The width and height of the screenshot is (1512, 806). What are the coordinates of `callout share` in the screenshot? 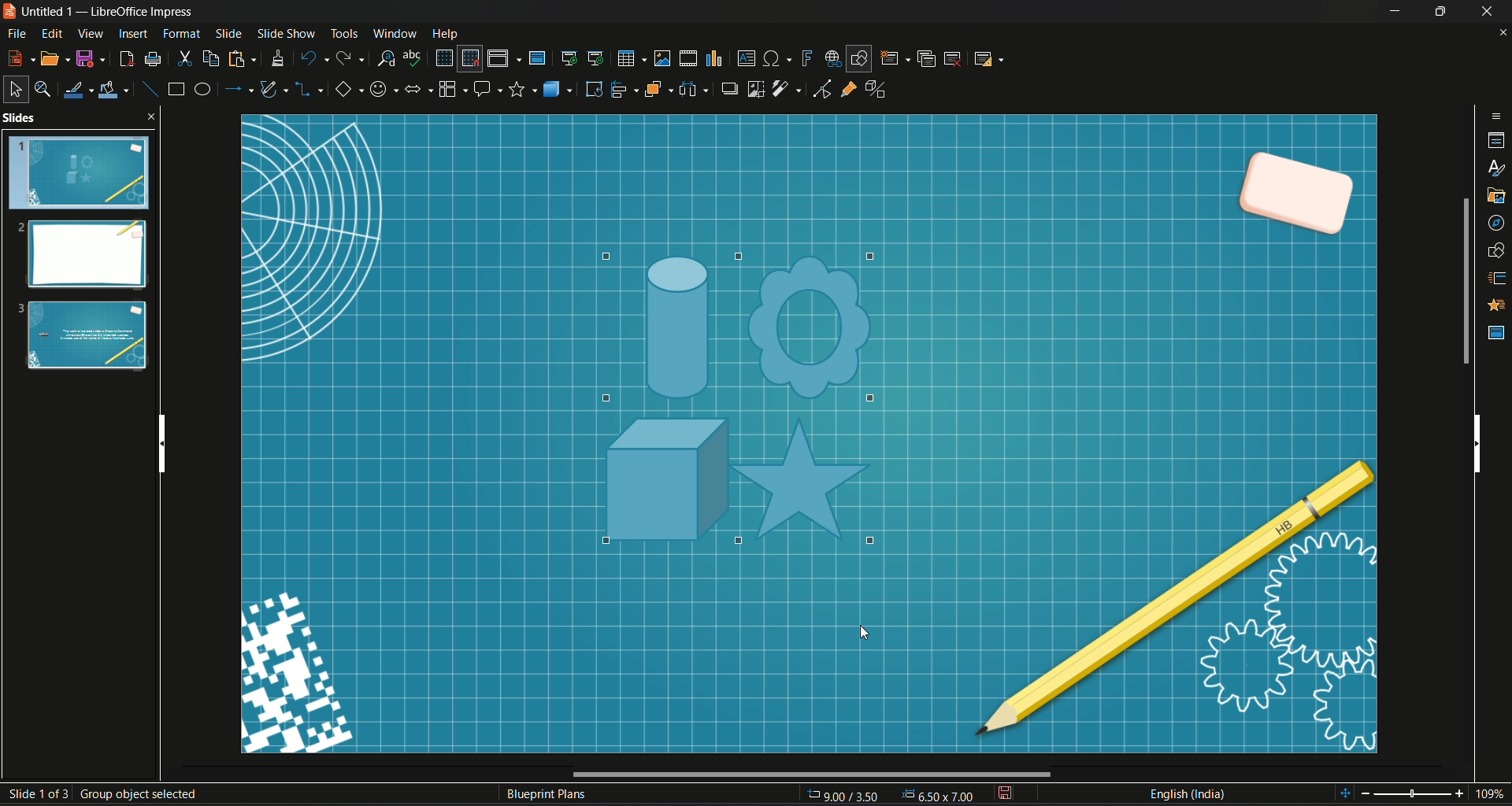 It's located at (487, 88).